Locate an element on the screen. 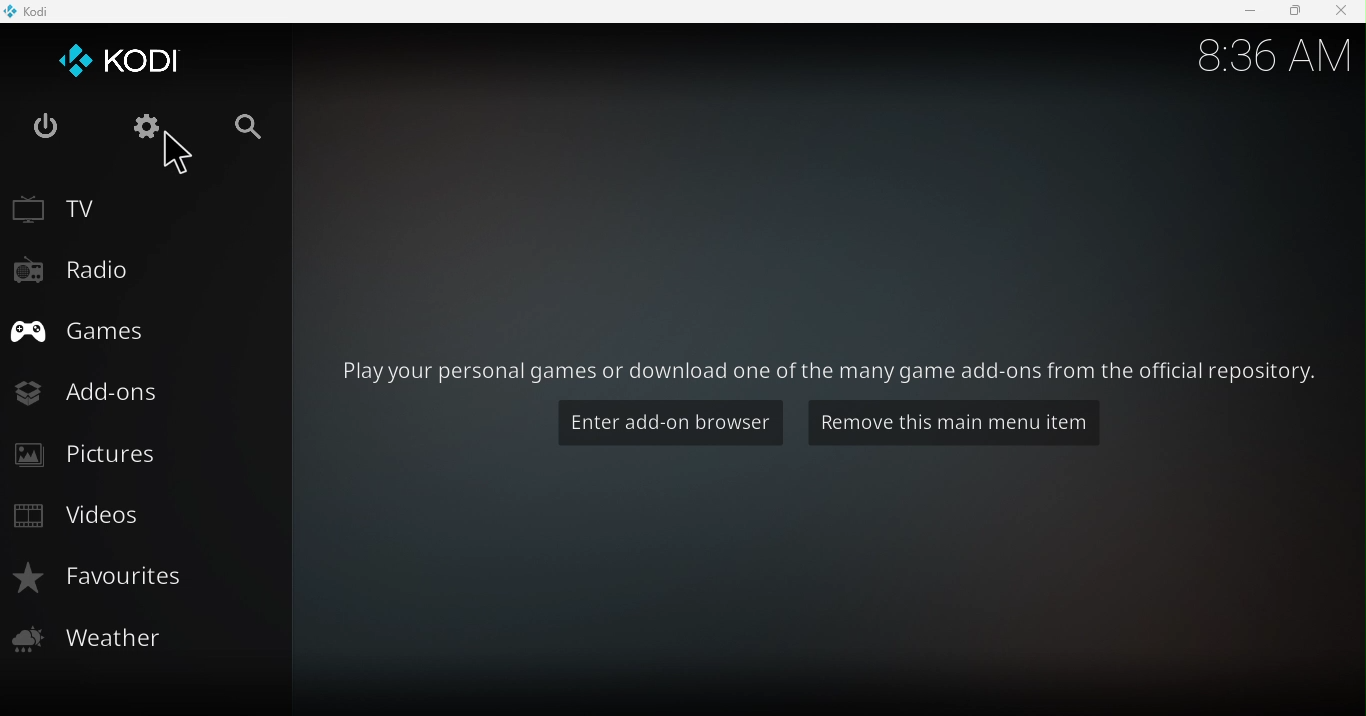  Add-ons is located at coordinates (142, 391).